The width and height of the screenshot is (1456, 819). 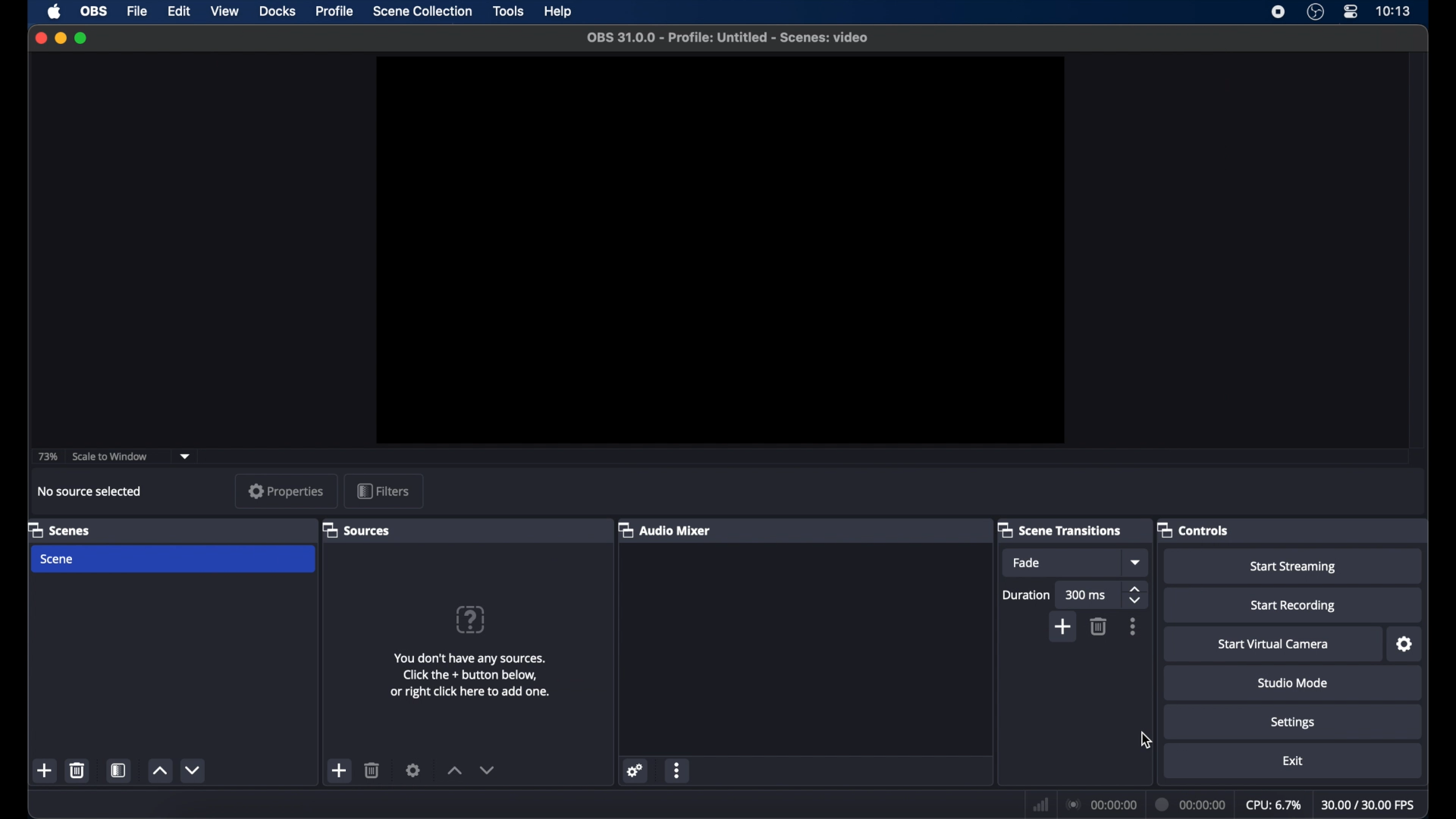 What do you see at coordinates (1134, 563) in the screenshot?
I see `dropdown` at bounding box center [1134, 563].